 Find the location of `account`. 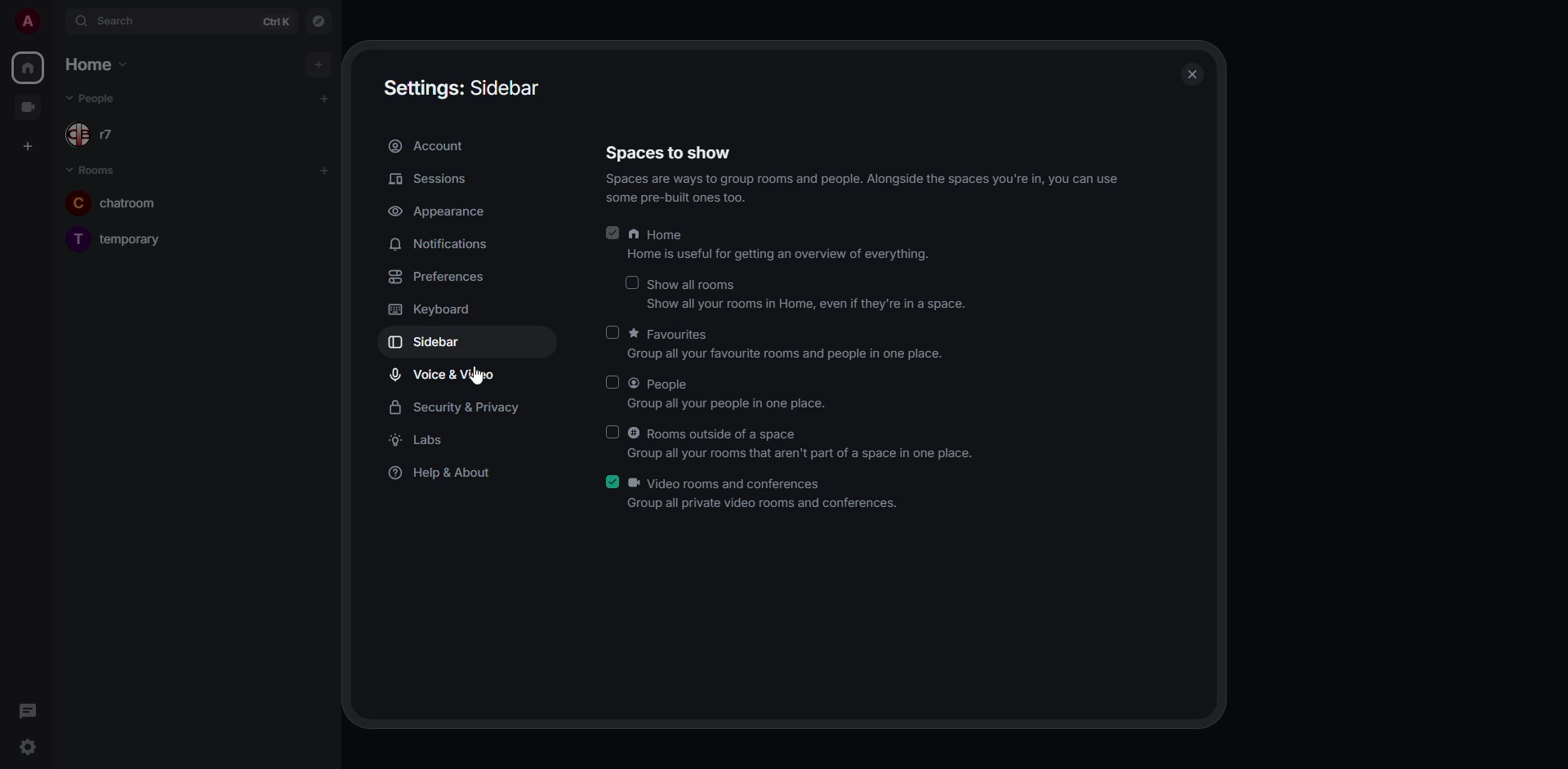

account is located at coordinates (429, 146).